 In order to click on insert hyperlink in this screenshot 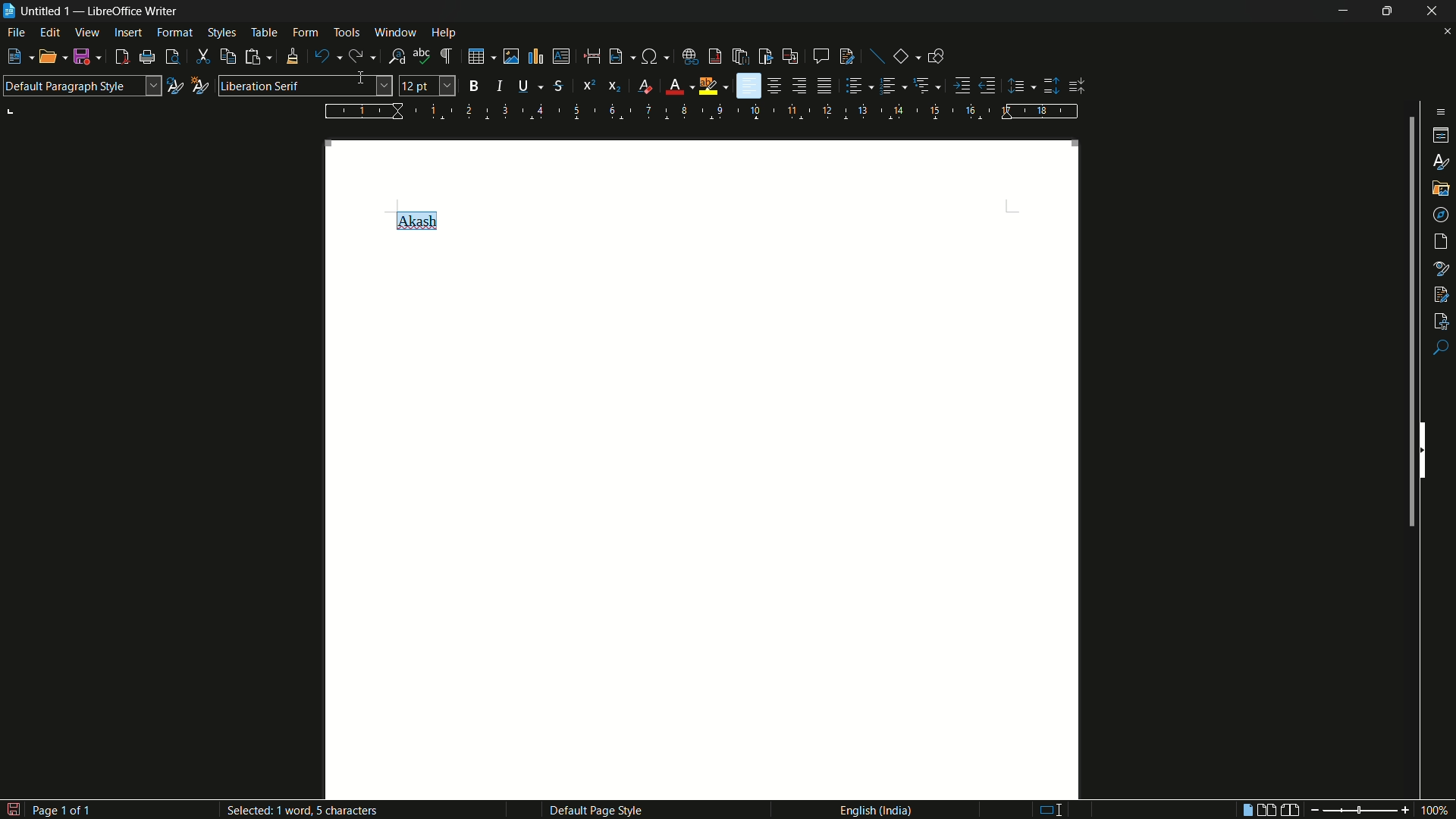, I will do `click(692, 57)`.